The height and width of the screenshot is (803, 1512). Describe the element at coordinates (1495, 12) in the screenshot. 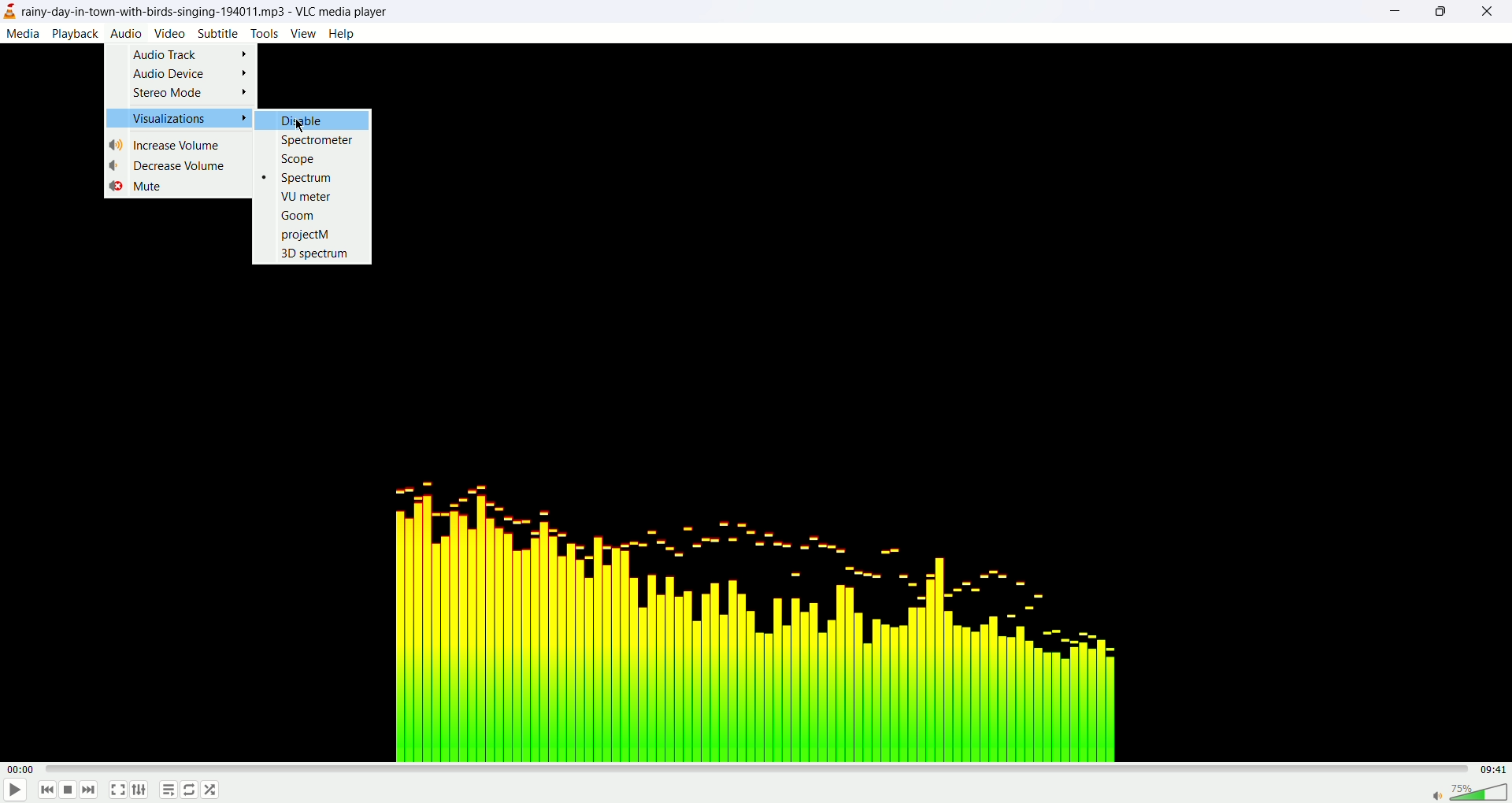

I see `close` at that location.